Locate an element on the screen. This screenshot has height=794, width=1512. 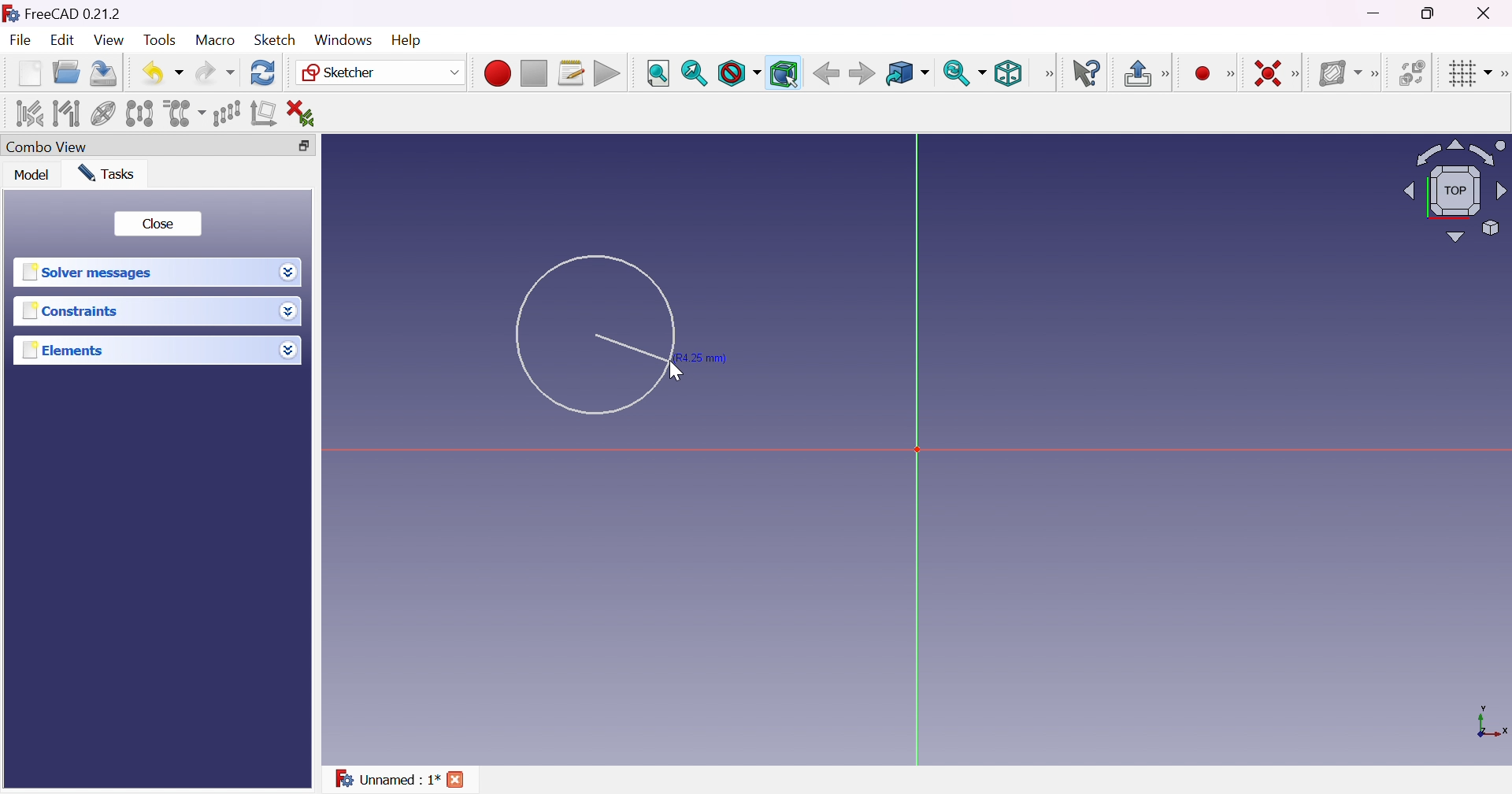
Leave sketch is located at coordinates (1136, 72).